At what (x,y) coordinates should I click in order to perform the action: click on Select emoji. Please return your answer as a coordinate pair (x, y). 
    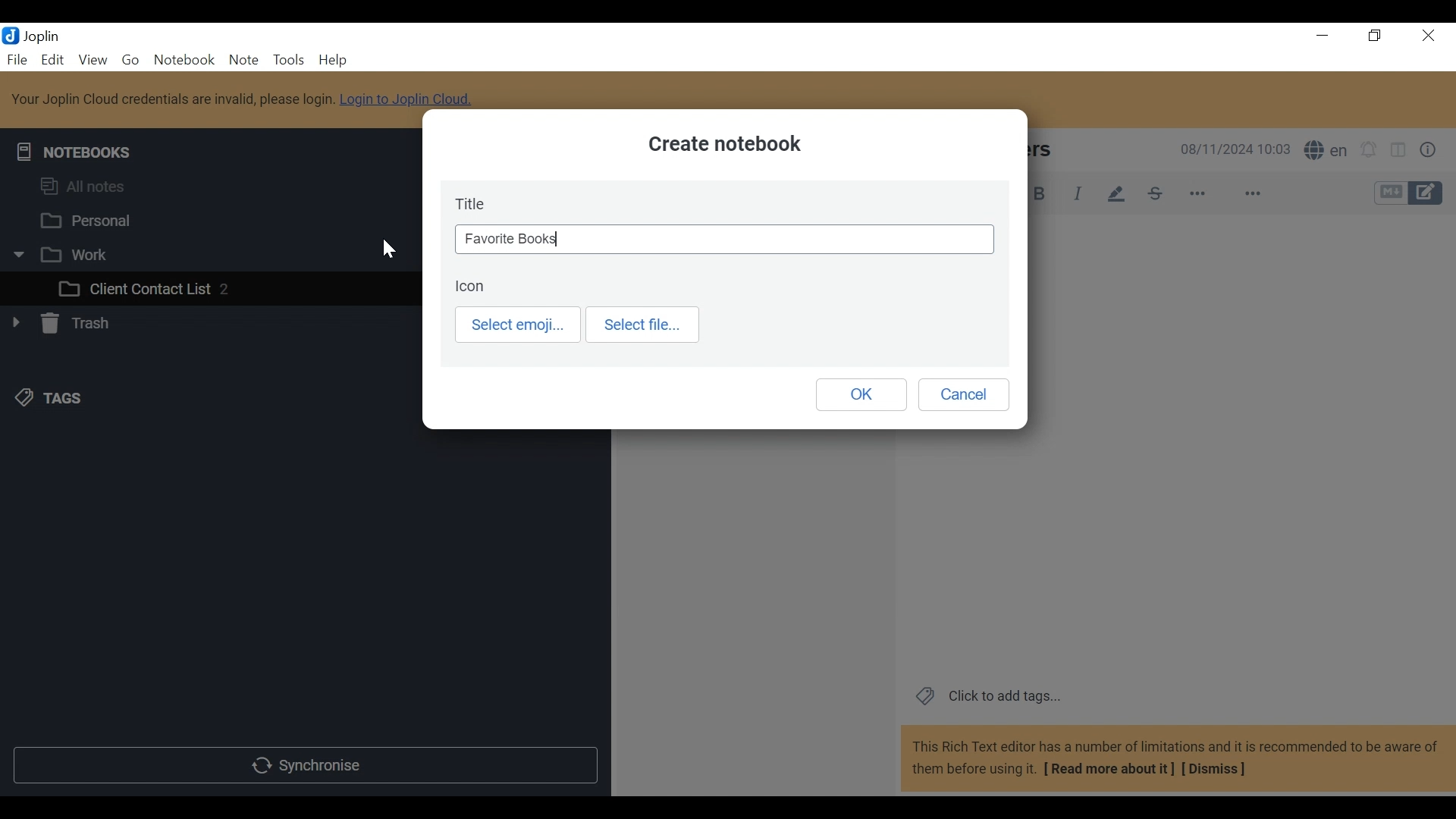
    Looking at the image, I should click on (516, 323).